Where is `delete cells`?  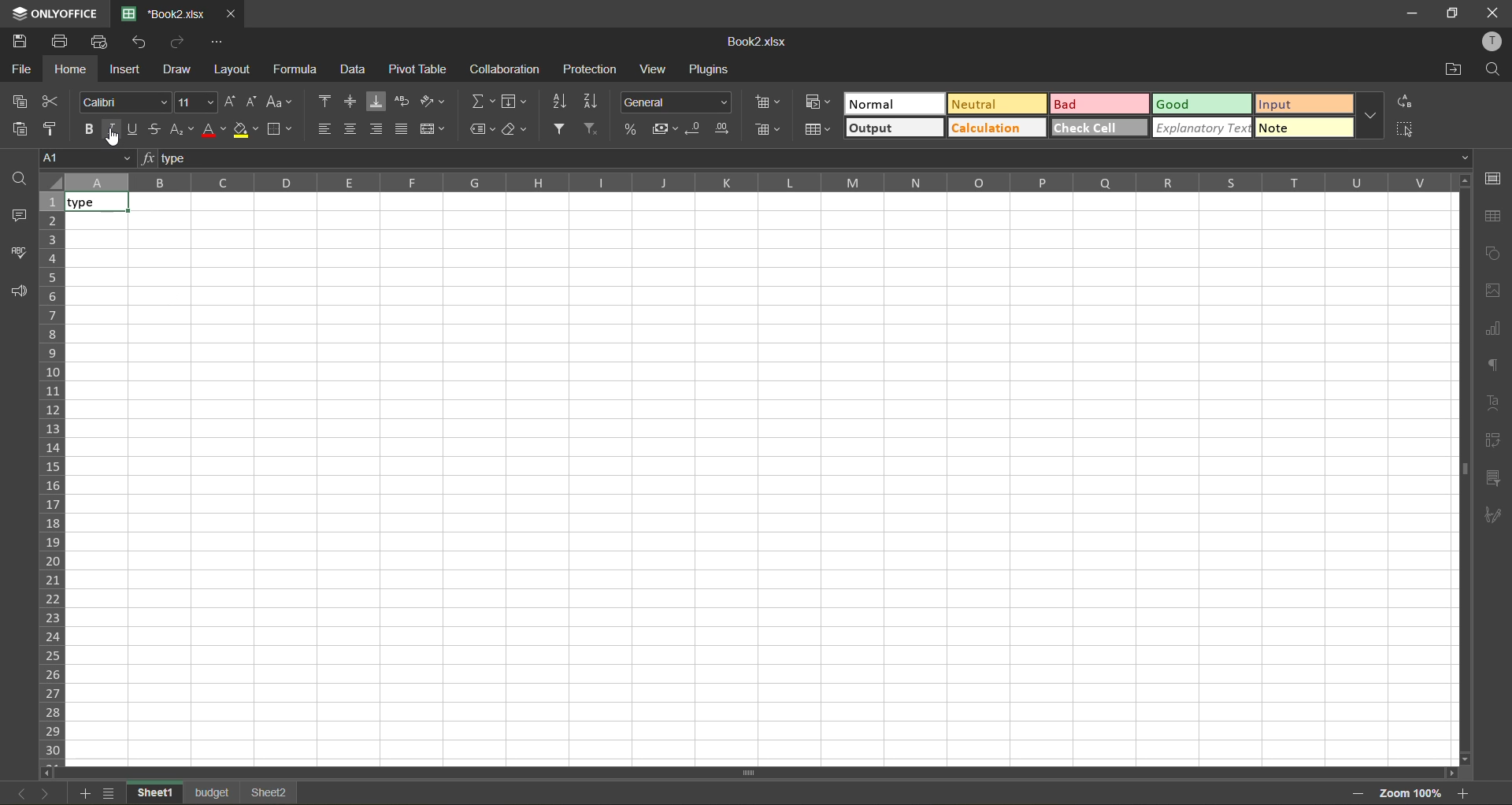
delete cells is located at coordinates (765, 131).